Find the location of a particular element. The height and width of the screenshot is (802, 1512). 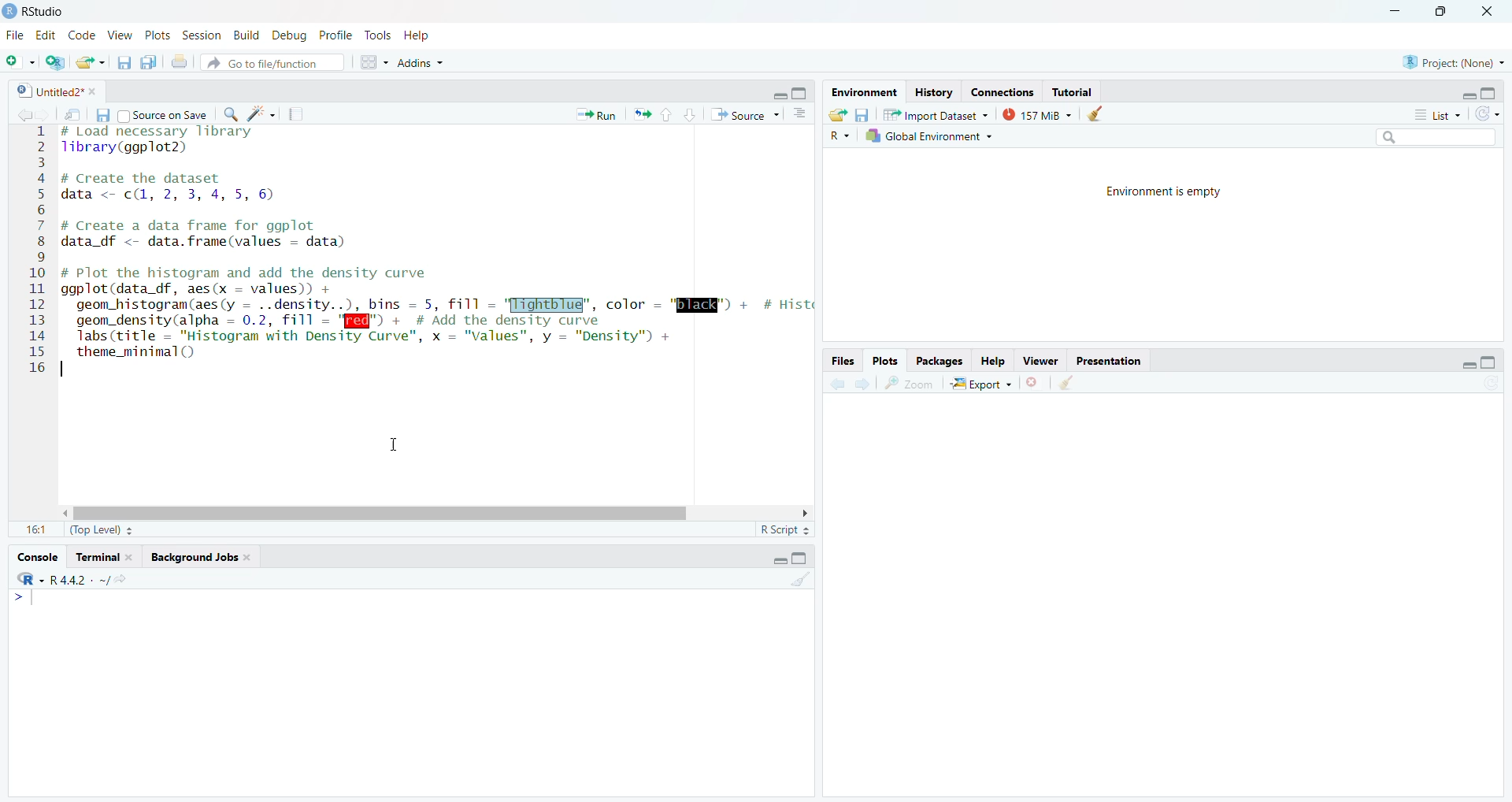

# Create the dataset
data <- c(, 2, 3, 4, 5, 6) is located at coordinates (173, 190).